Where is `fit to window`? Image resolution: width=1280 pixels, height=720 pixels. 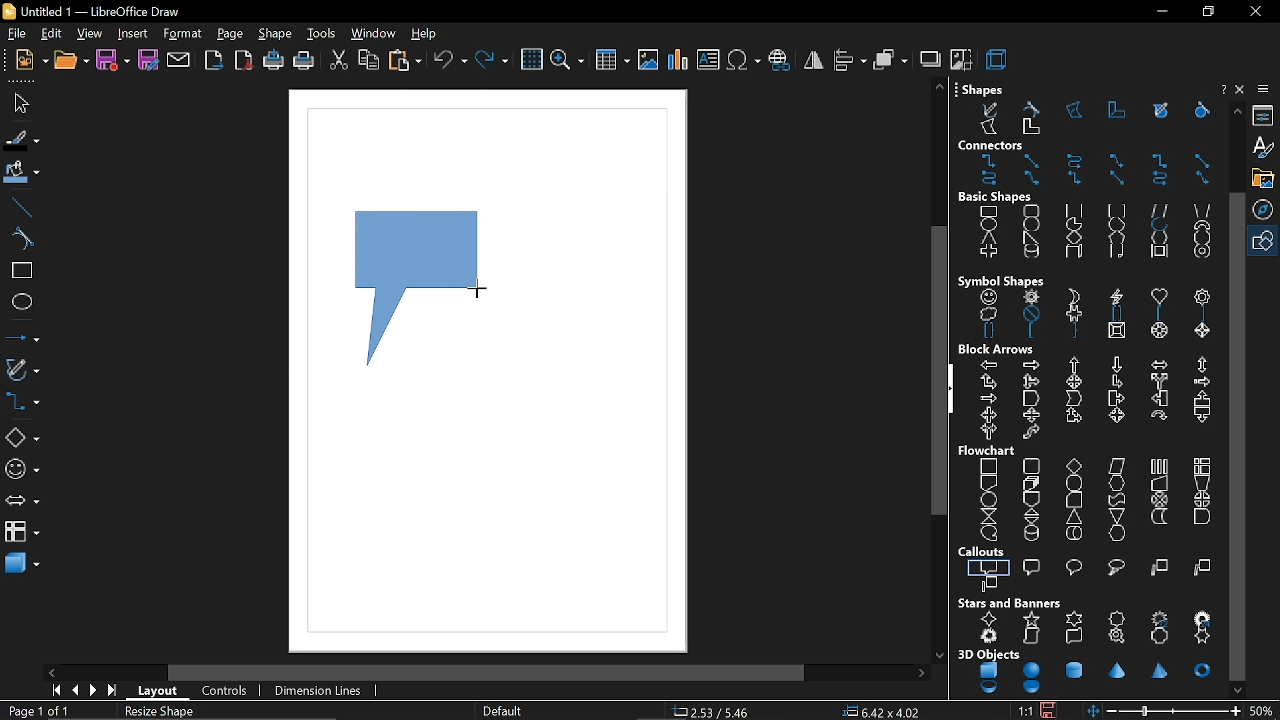
fit to window is located at coordinates (1095, 711).